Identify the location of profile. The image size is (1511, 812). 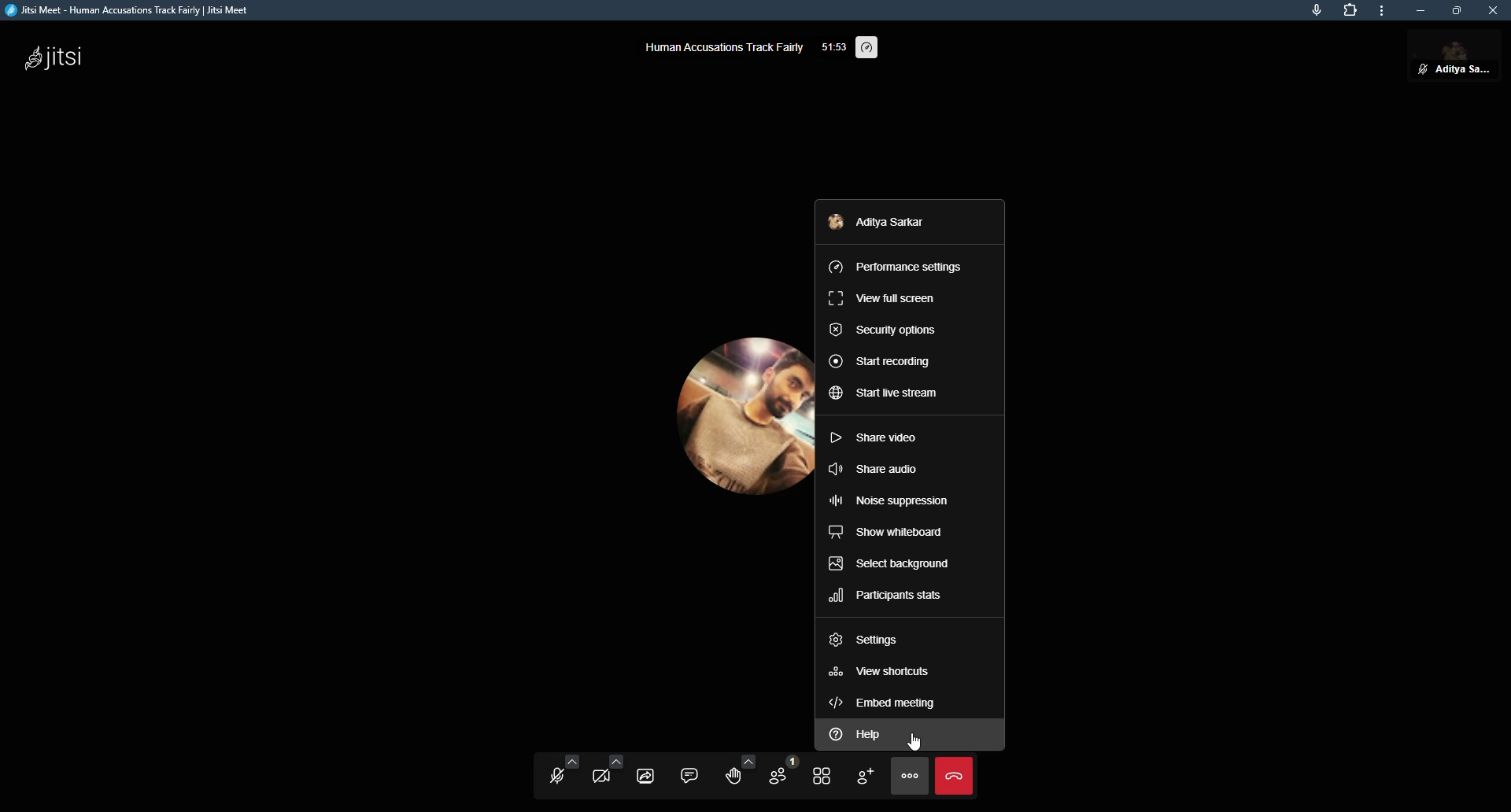
(737, 411).